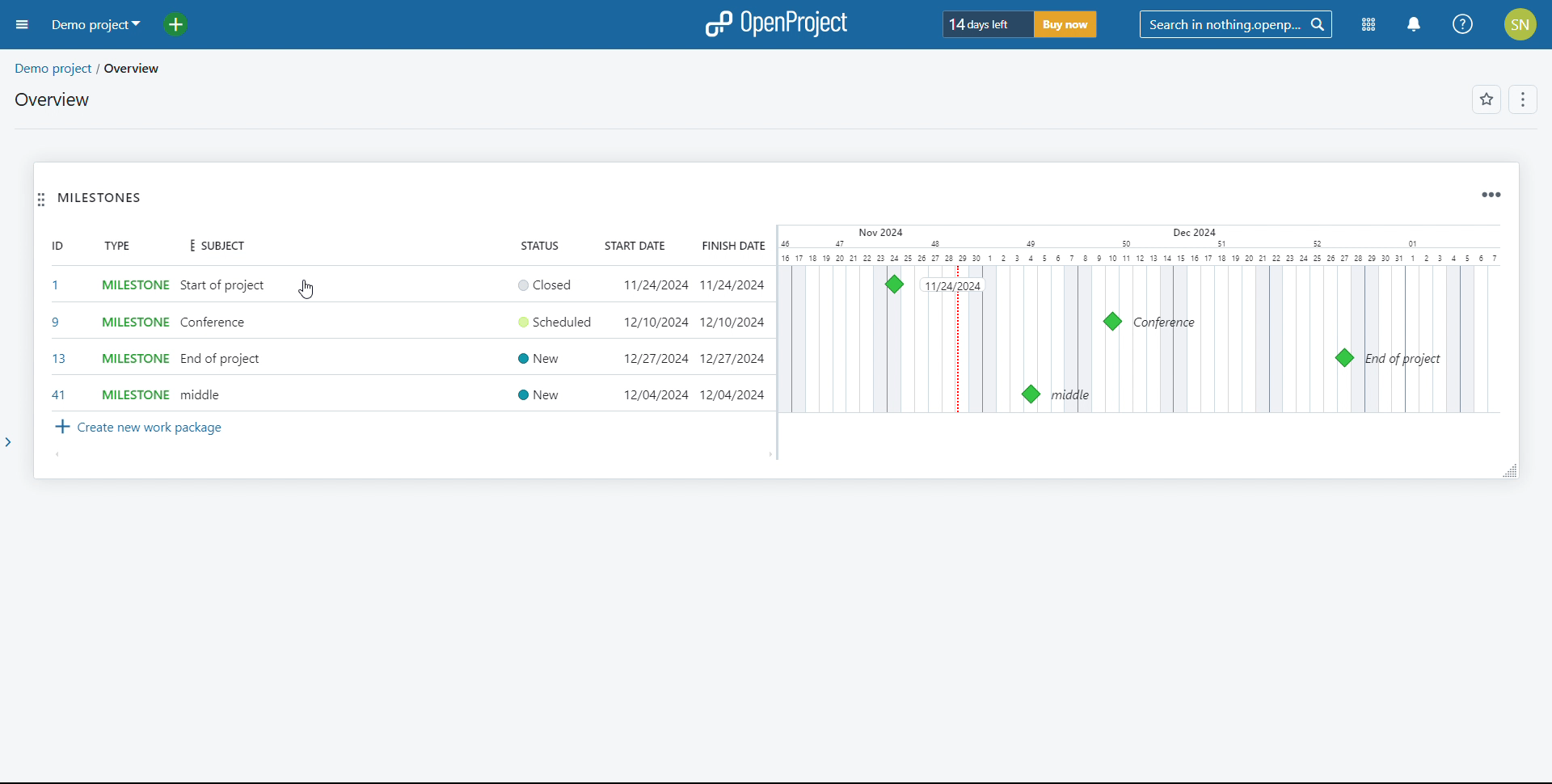  Describe the element at coordinates (736, 394) in the screenshot. I see `12/04/2024` at that location.